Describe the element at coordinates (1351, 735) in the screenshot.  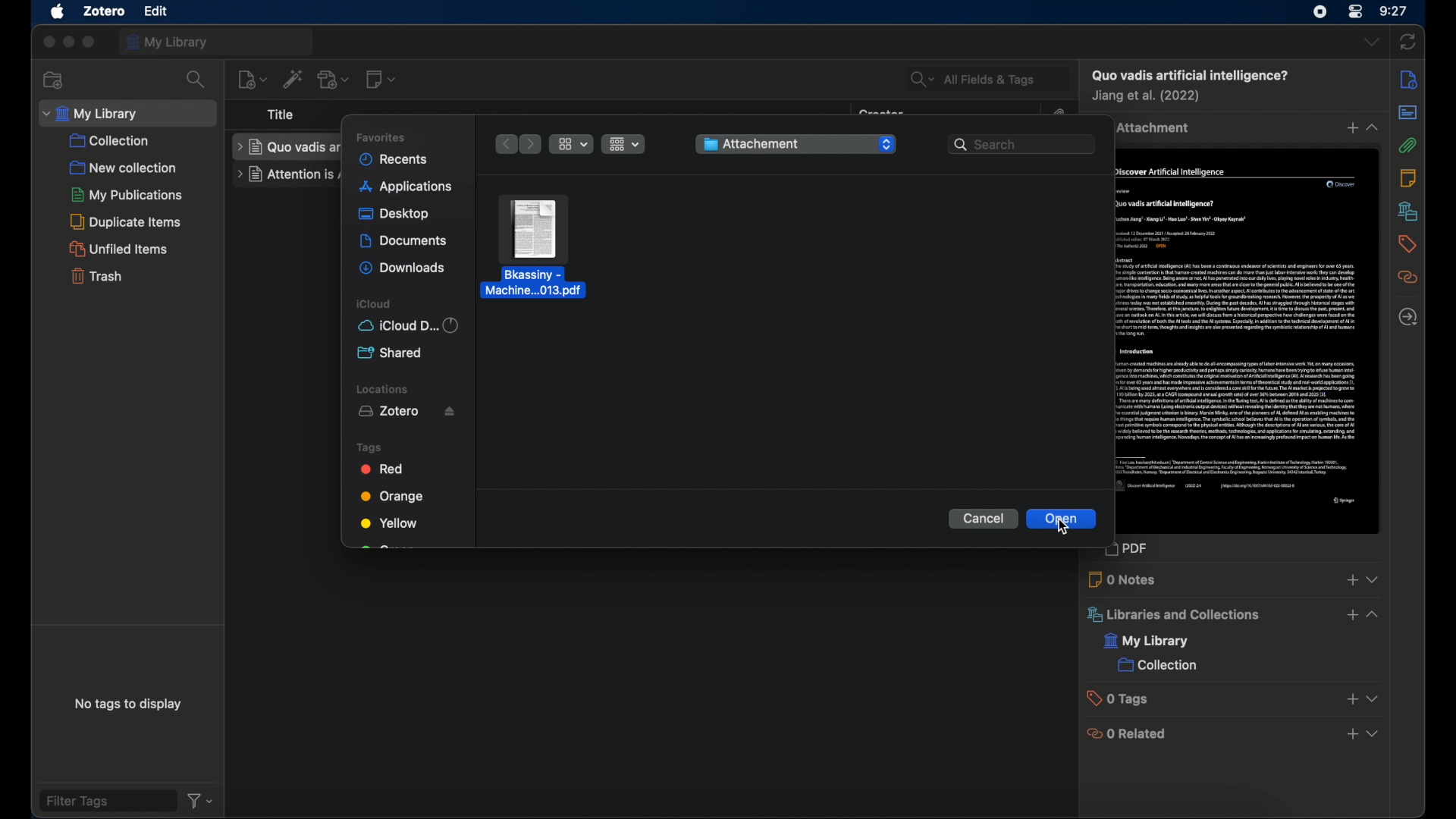
I see `add` at that location.